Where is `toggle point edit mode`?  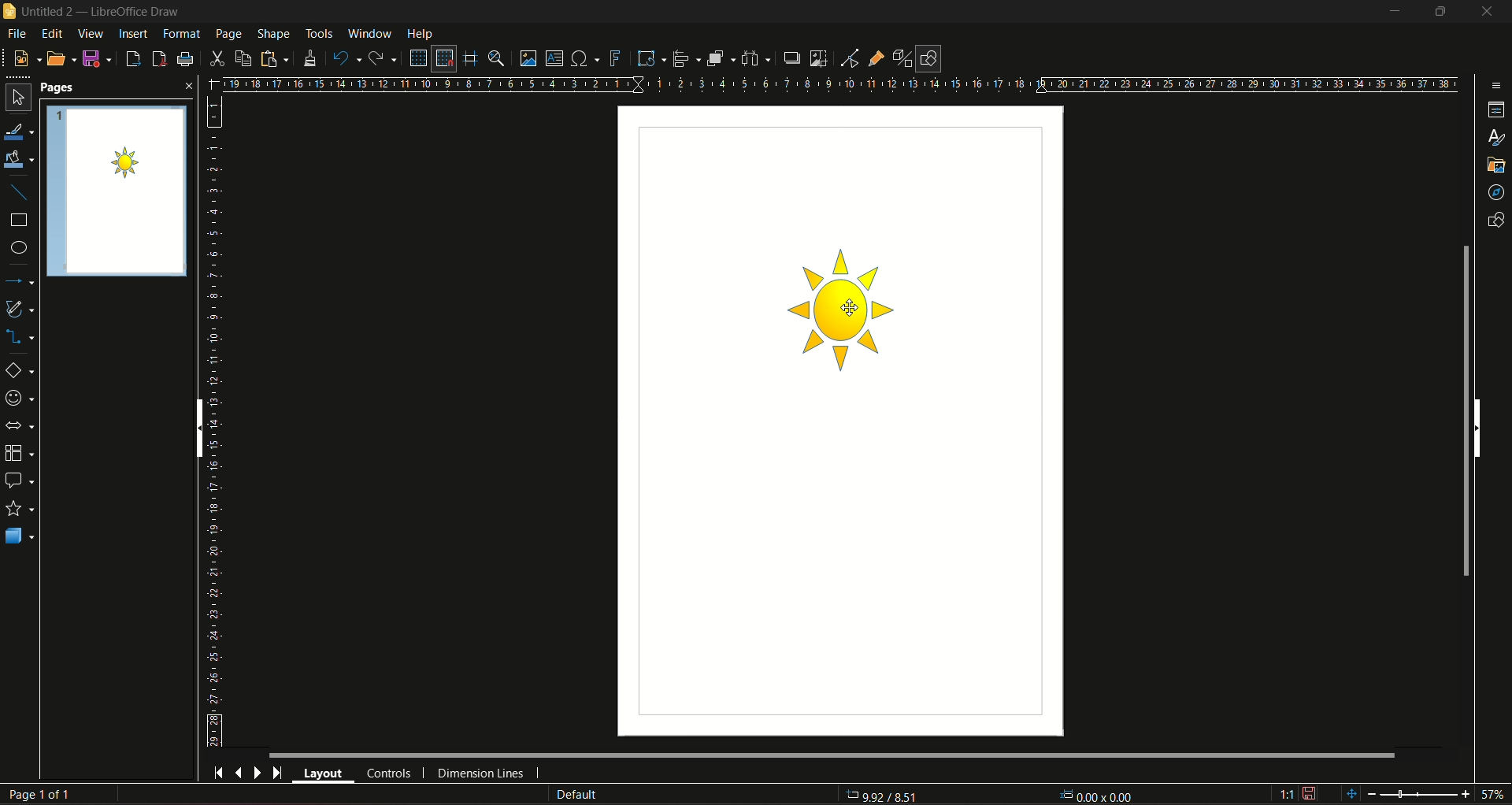
toggle point edit mode is located at coordinates (852, 58).